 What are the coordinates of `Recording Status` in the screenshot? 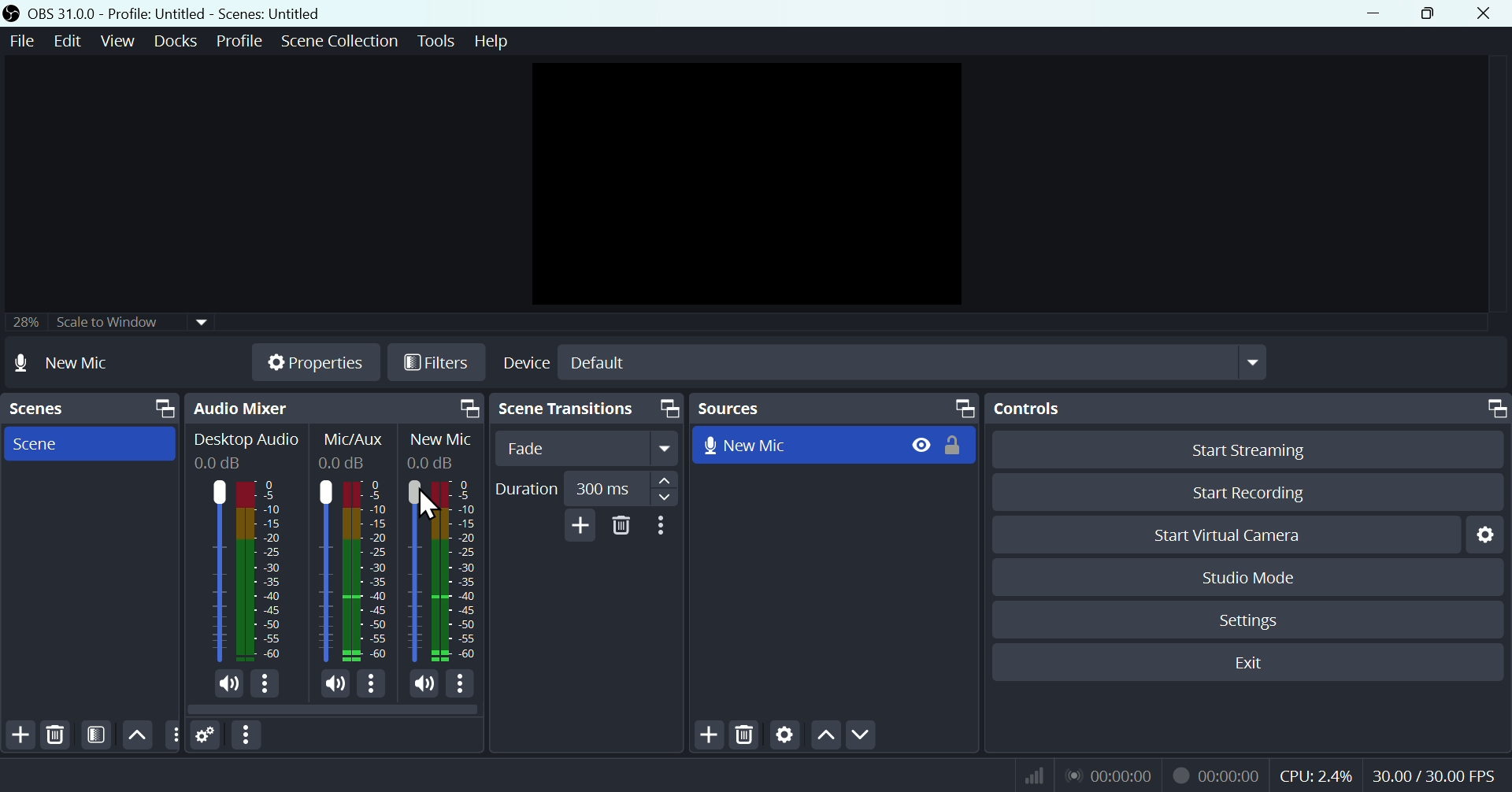 It's located at (1217, 775).